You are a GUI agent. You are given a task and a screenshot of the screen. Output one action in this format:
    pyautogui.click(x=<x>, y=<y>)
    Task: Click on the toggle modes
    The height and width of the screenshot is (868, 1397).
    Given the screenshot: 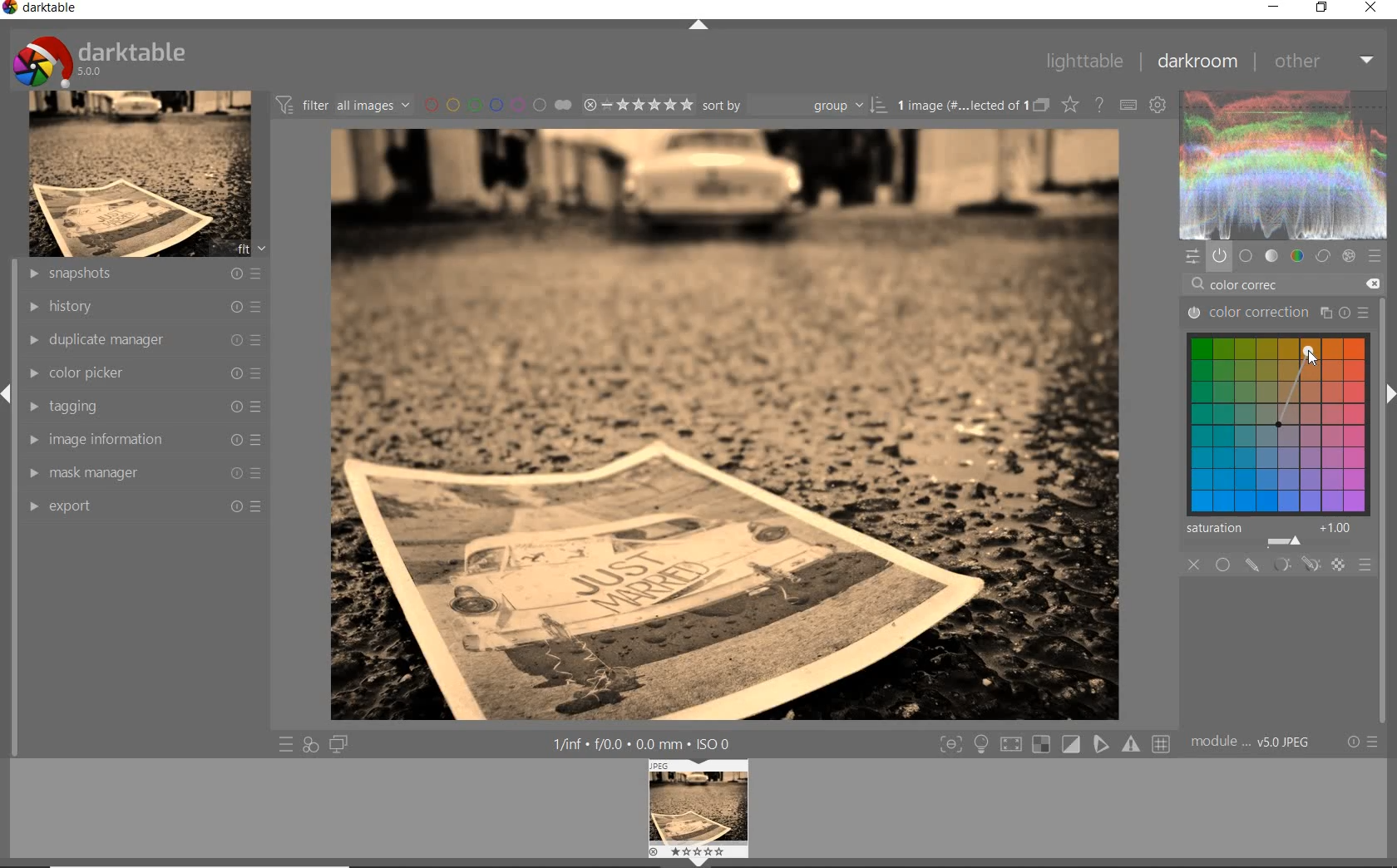 What is the action you would take?
    pyautogui.click(x=1056, y=742)
    